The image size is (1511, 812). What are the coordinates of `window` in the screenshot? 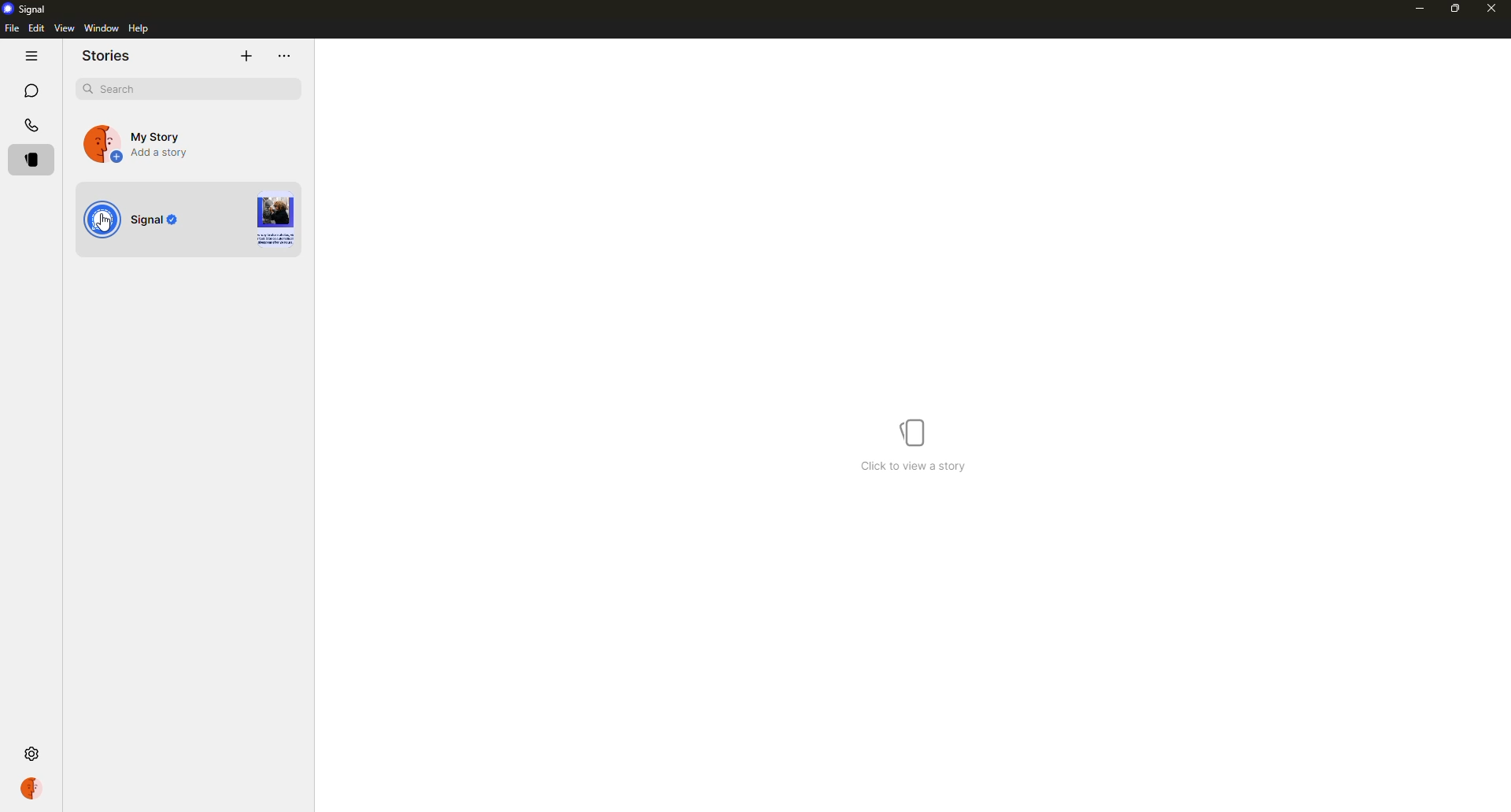 It's located at (102, 28).